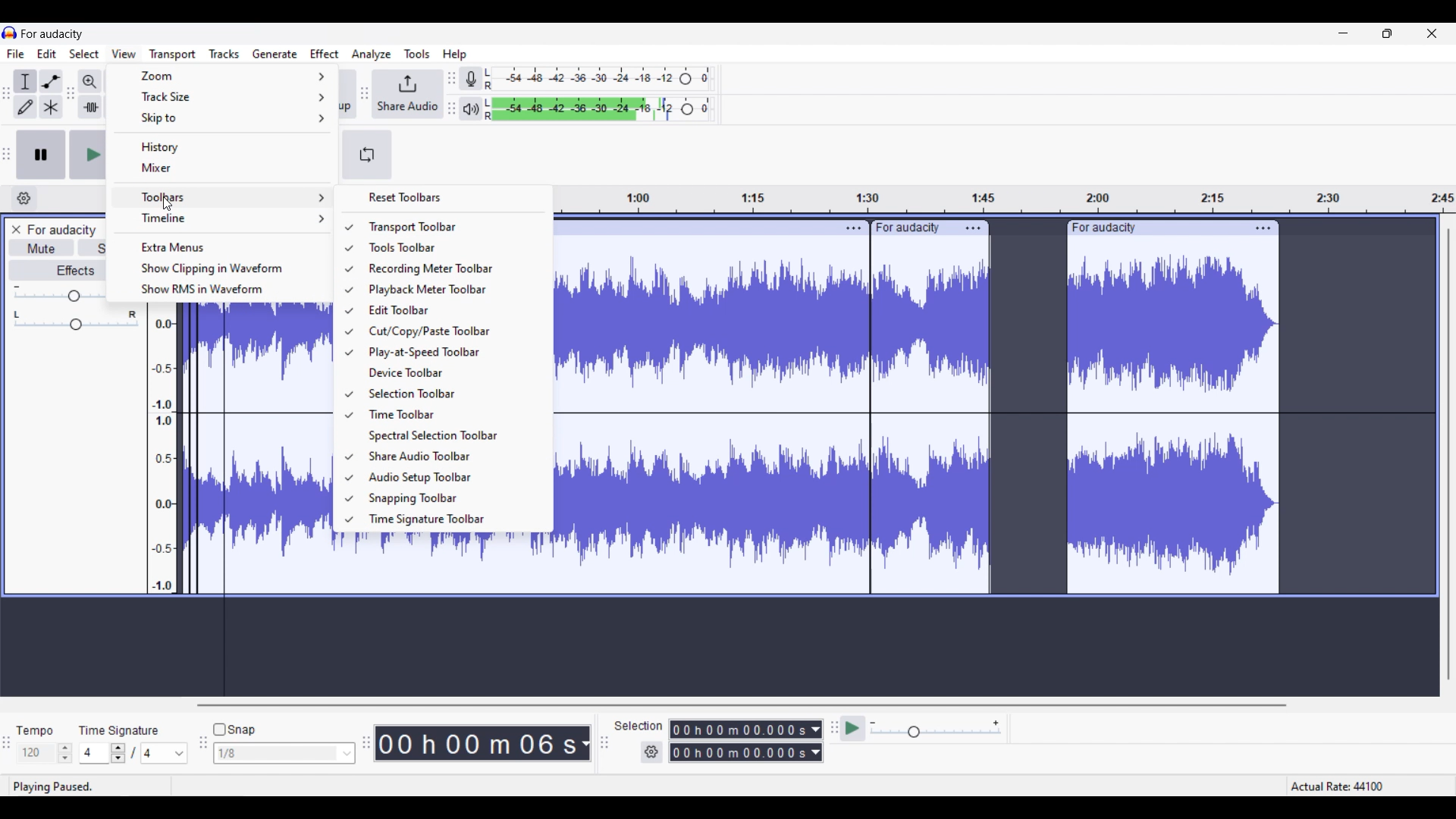  I want to click on Extra menus, so click(224, 246).